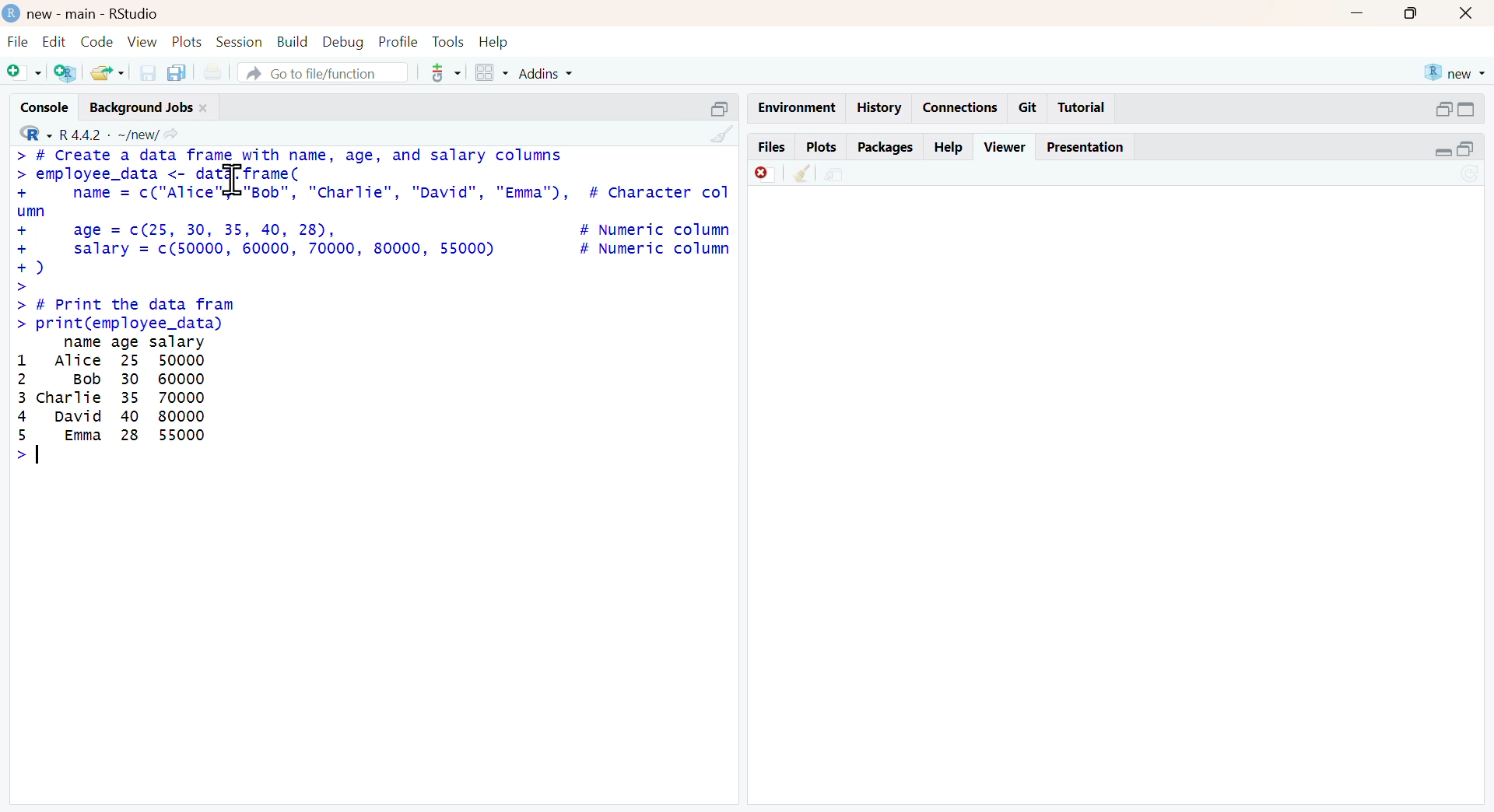 The width and height of the screenshot is (1494, 812). What do you see at coordinates (716, 133) in the screenshot?
I see `Clear console` at bounding box center [716, 133].